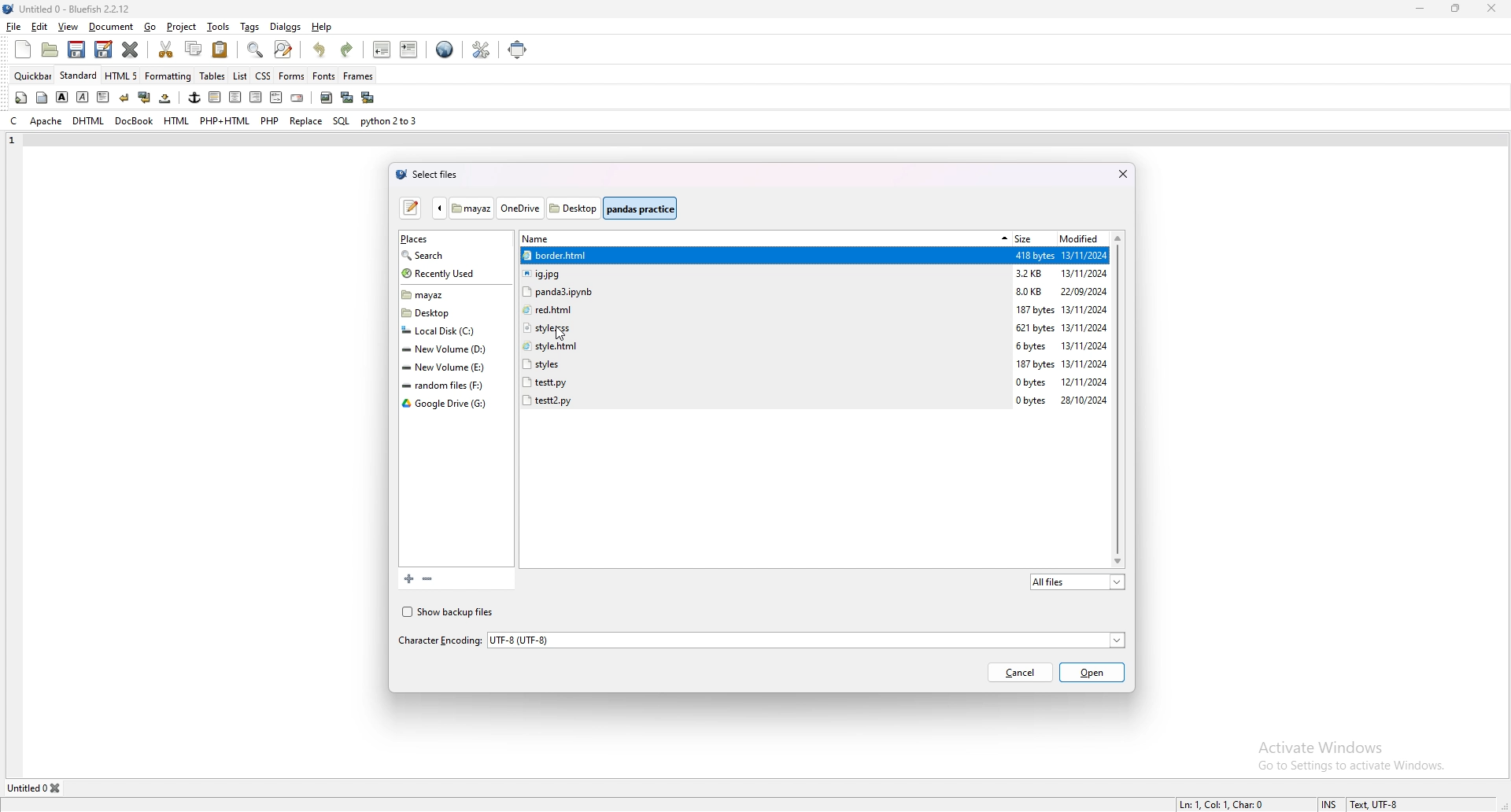 The height and width of the screenshot is (812, 1511). Describe the element at coordinates (430, 175) in the screenshot. I see `select files` at that location.